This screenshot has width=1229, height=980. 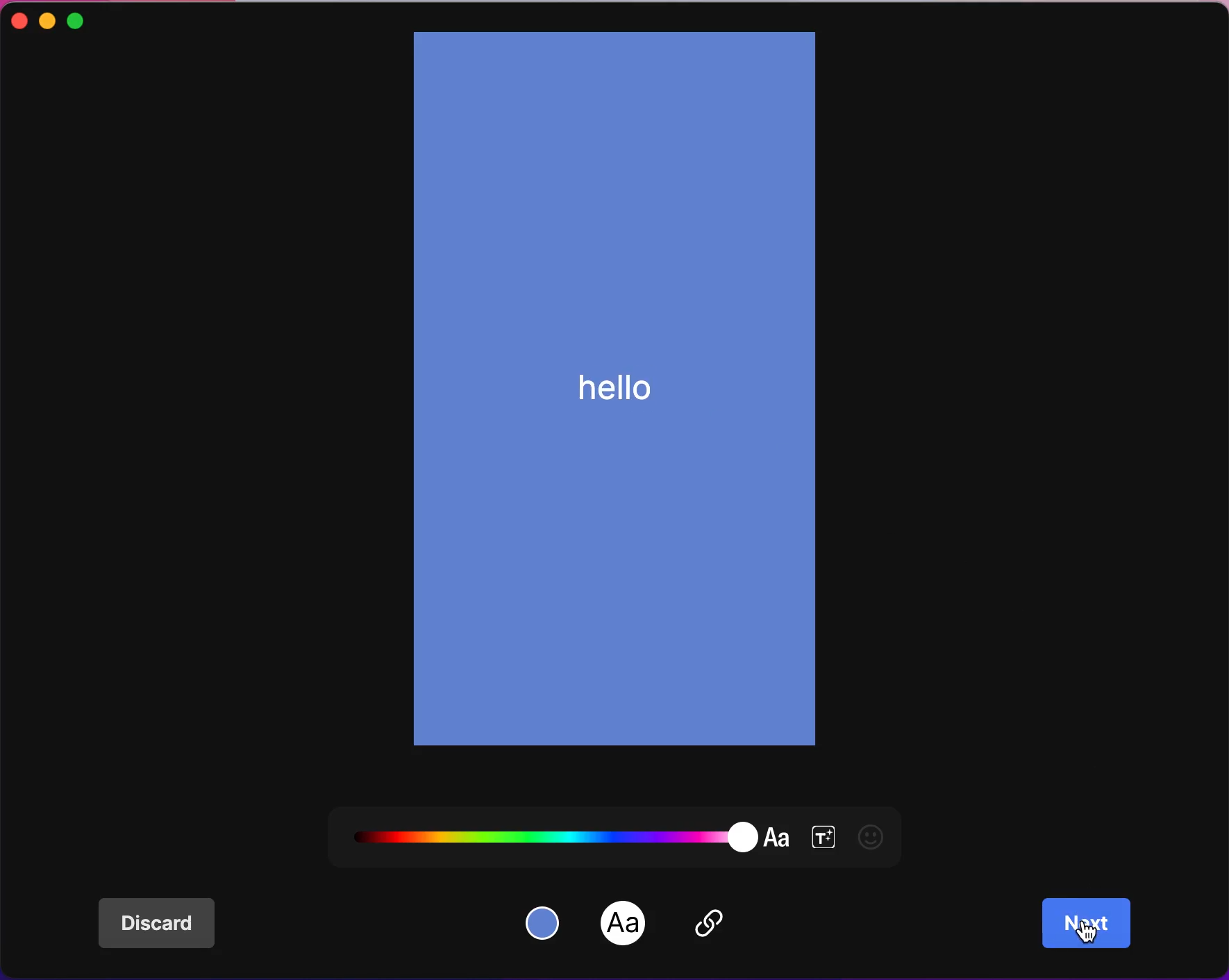 I want to click on discard, so click(x=165, y=924).